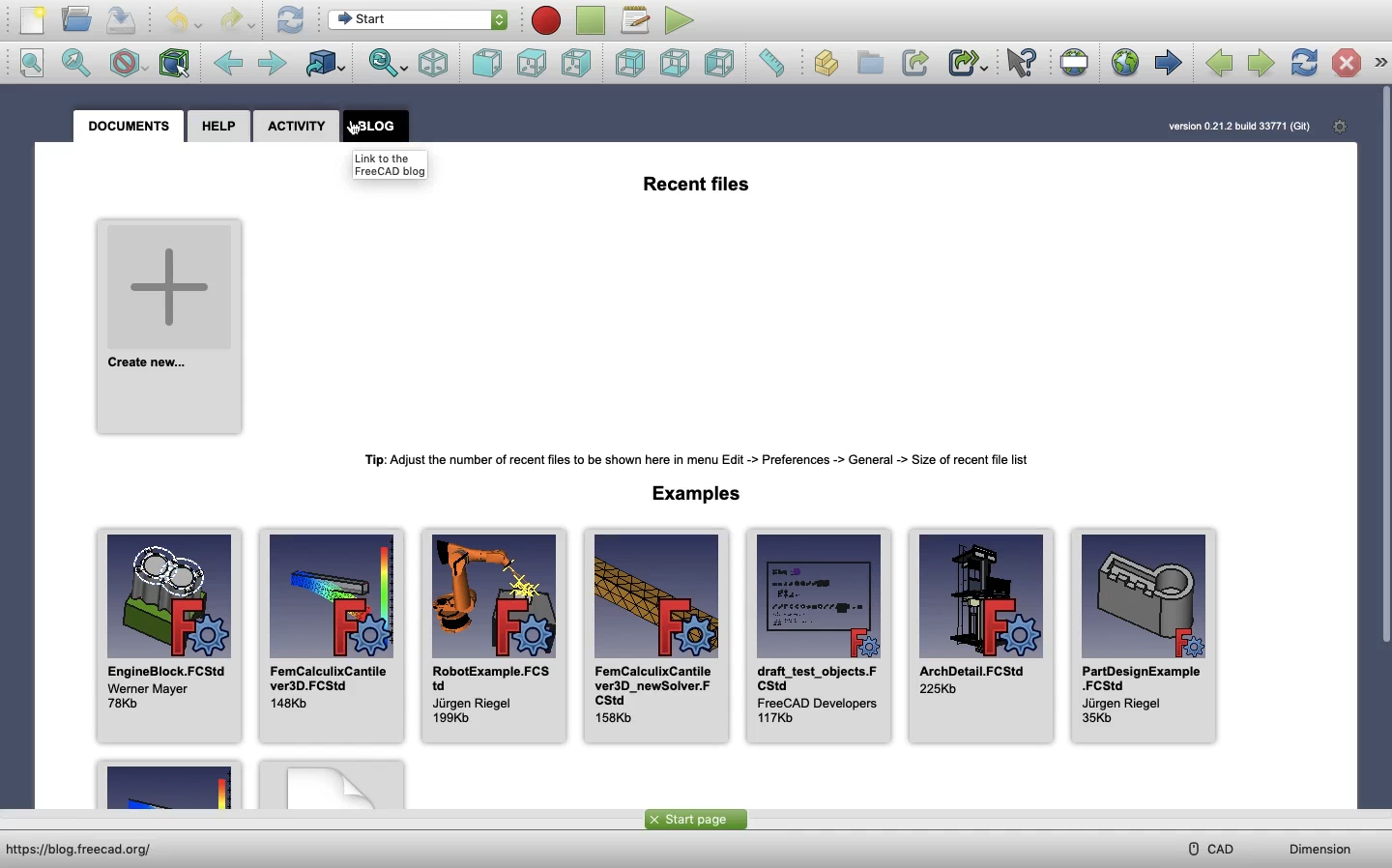 The image size is (1392, 868). What do you see at coordinates (167, 781) in the screenshot?
I see `Other File` at bounding box center [167, 781].